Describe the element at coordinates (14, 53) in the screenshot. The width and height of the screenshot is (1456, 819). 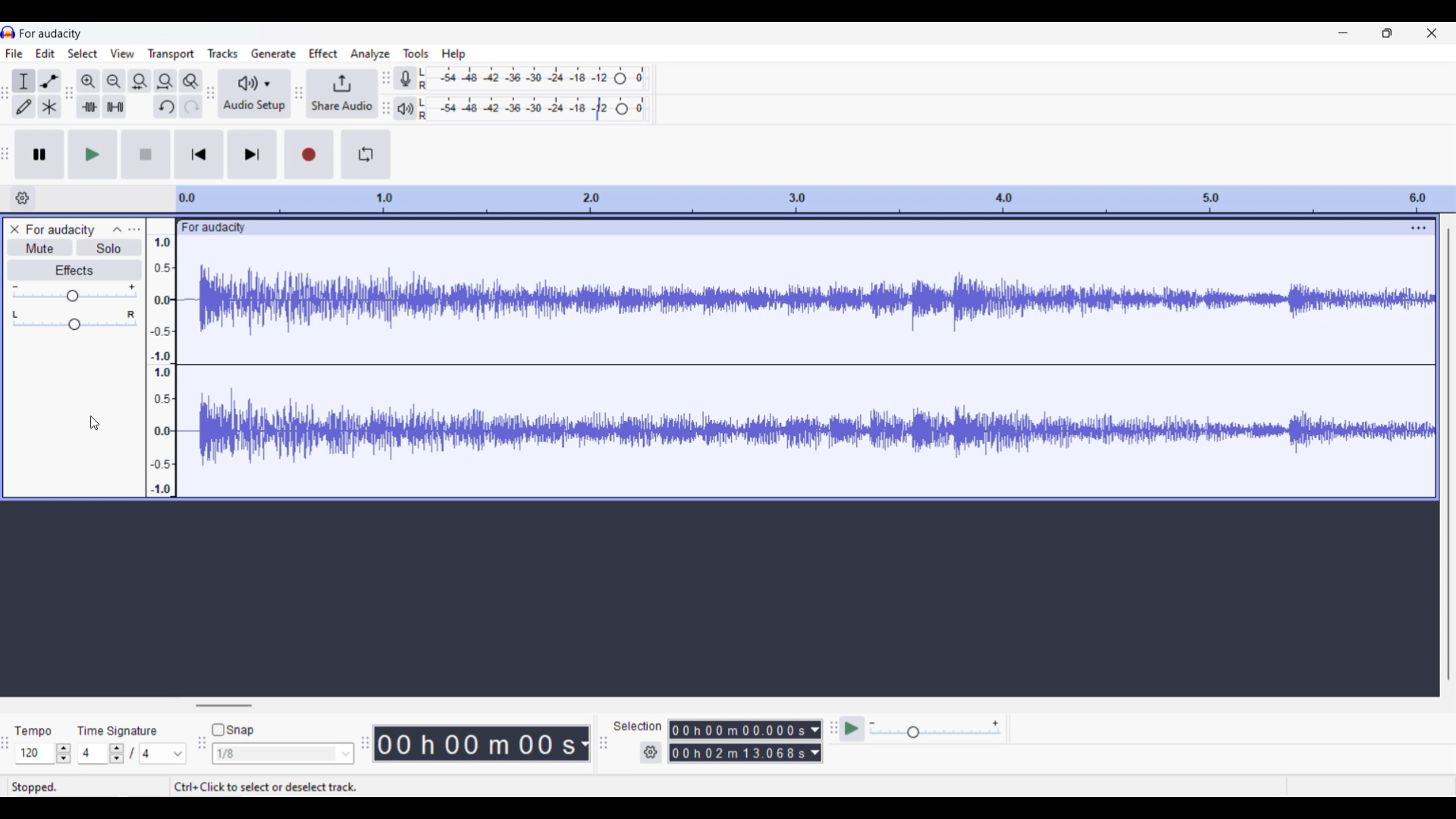
I see `File` at that location.